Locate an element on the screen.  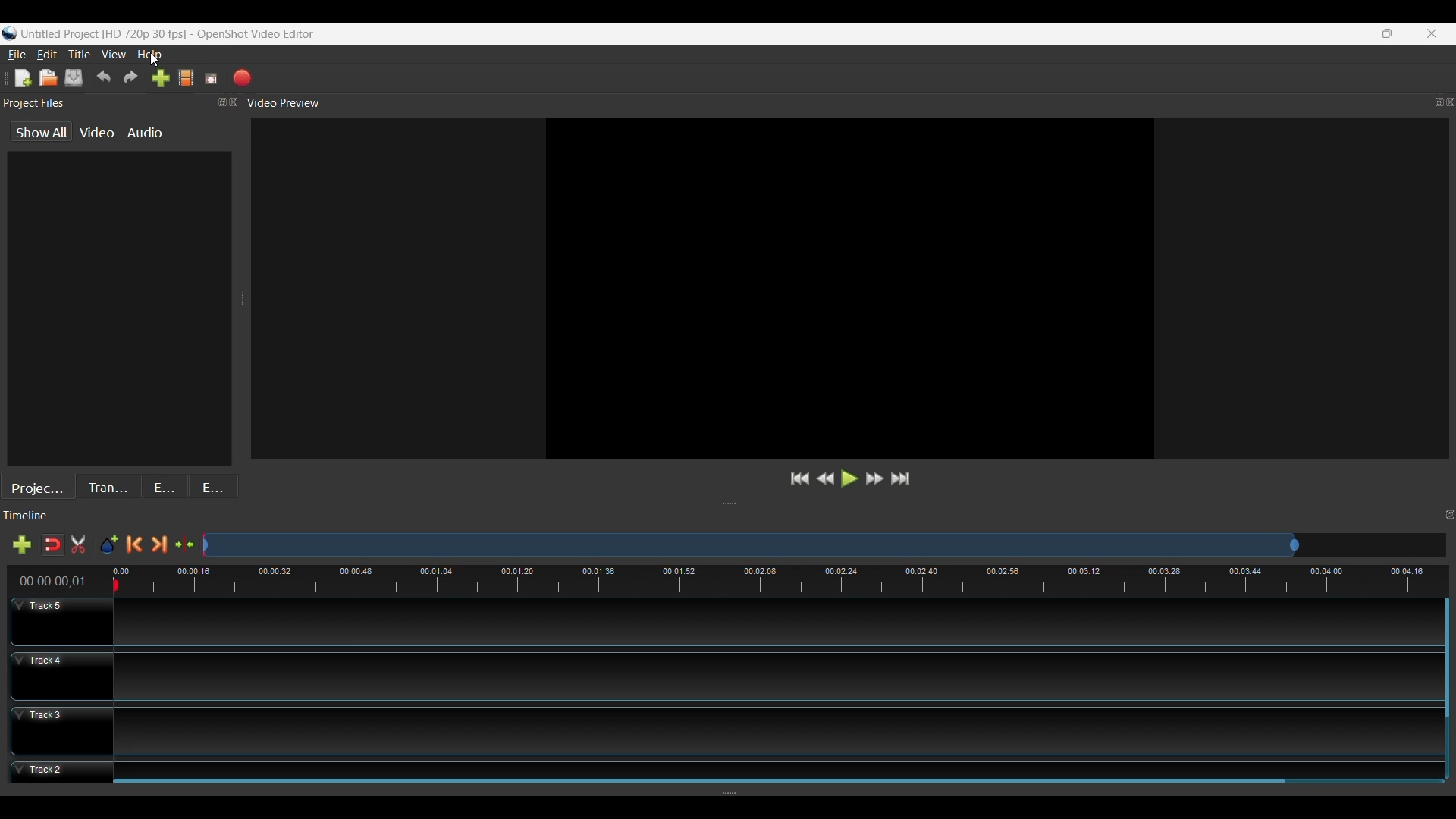
Add Track is located at coordinates (18, 544).